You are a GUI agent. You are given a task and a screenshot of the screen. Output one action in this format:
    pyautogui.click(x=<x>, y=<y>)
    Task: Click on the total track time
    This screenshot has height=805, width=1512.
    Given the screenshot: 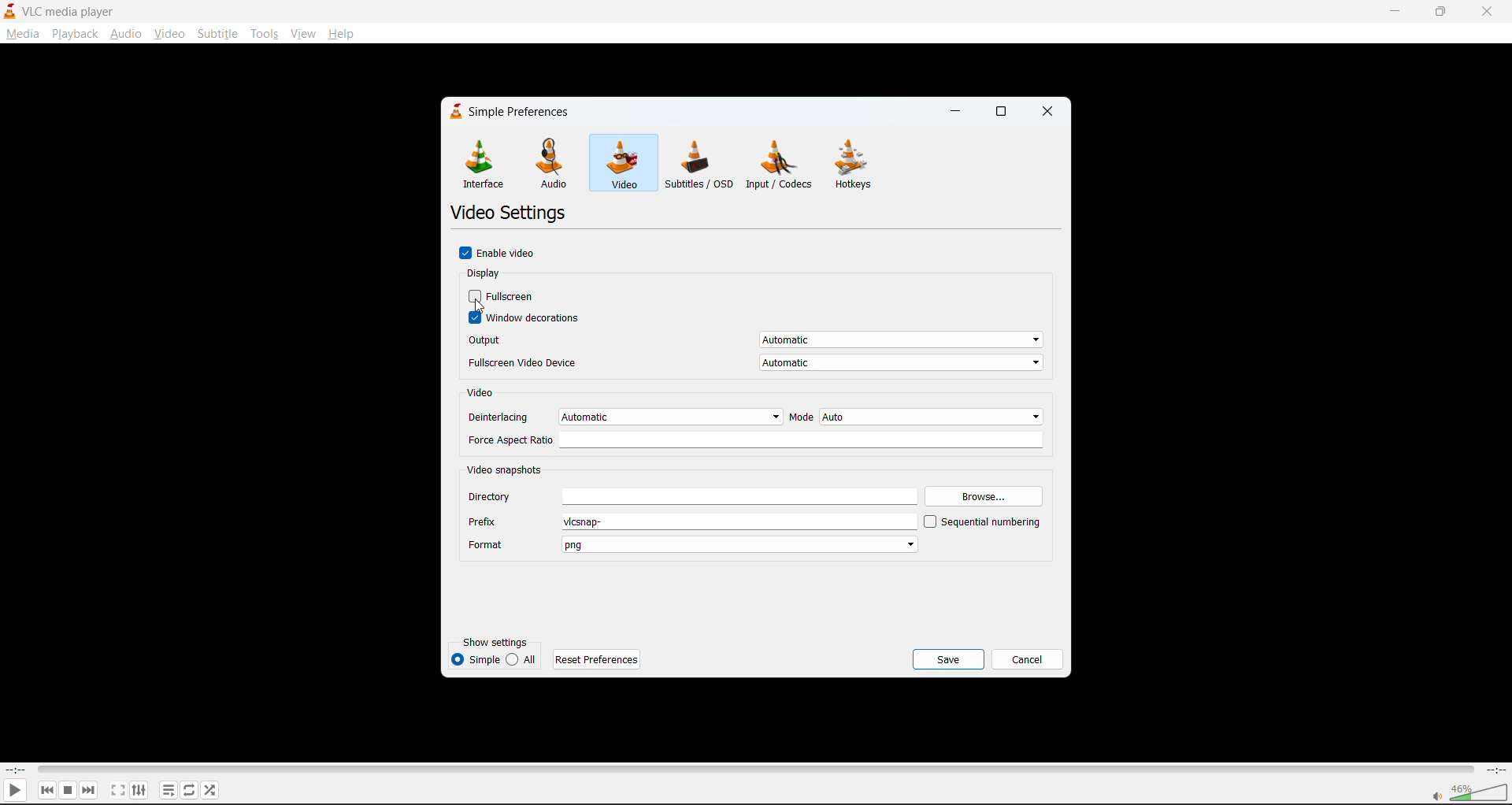 What is the action you would take?
    pyautogui.click(x=1495, y=769)
    